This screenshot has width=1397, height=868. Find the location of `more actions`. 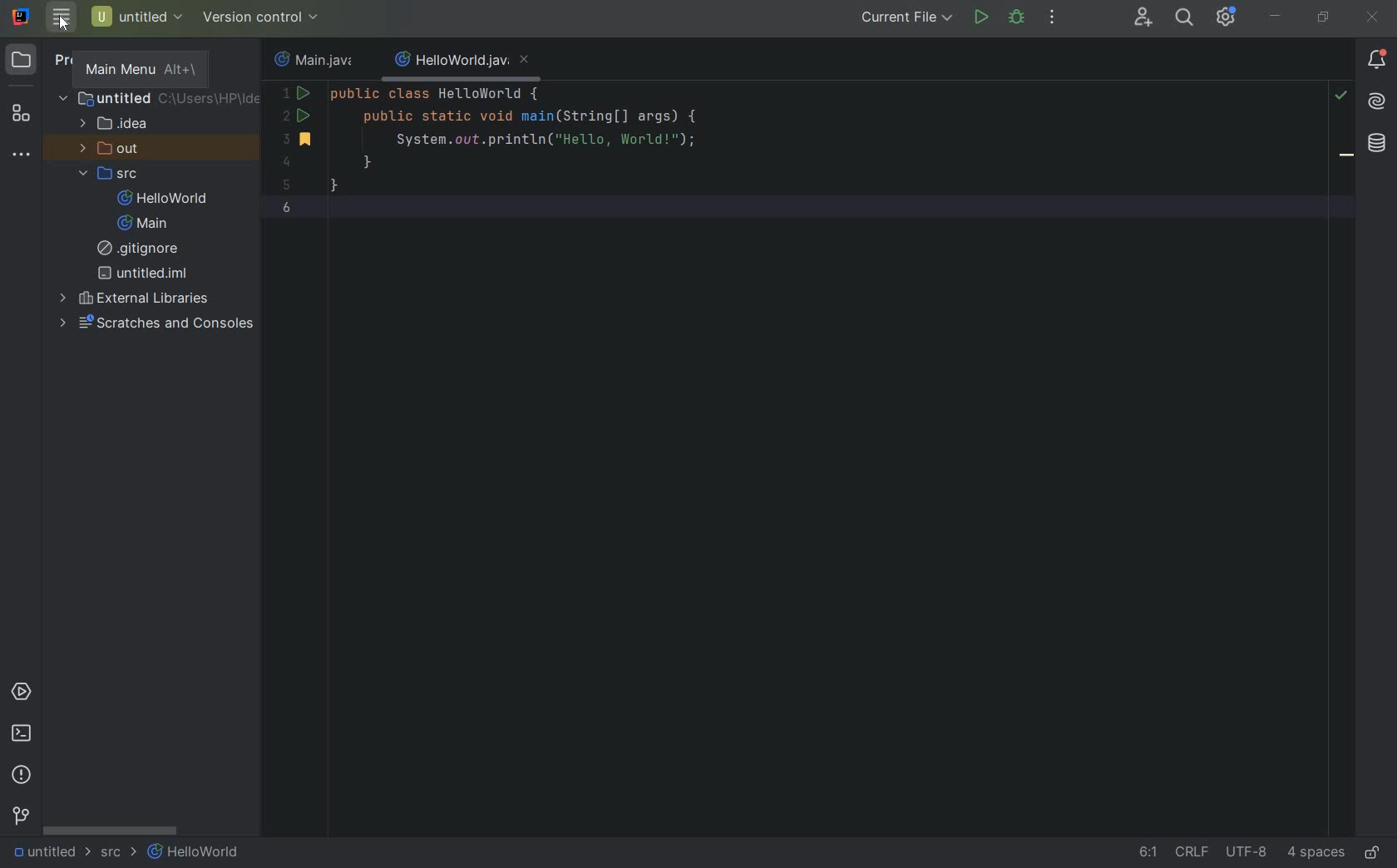

more actions is located at coordinates (1055, 20).